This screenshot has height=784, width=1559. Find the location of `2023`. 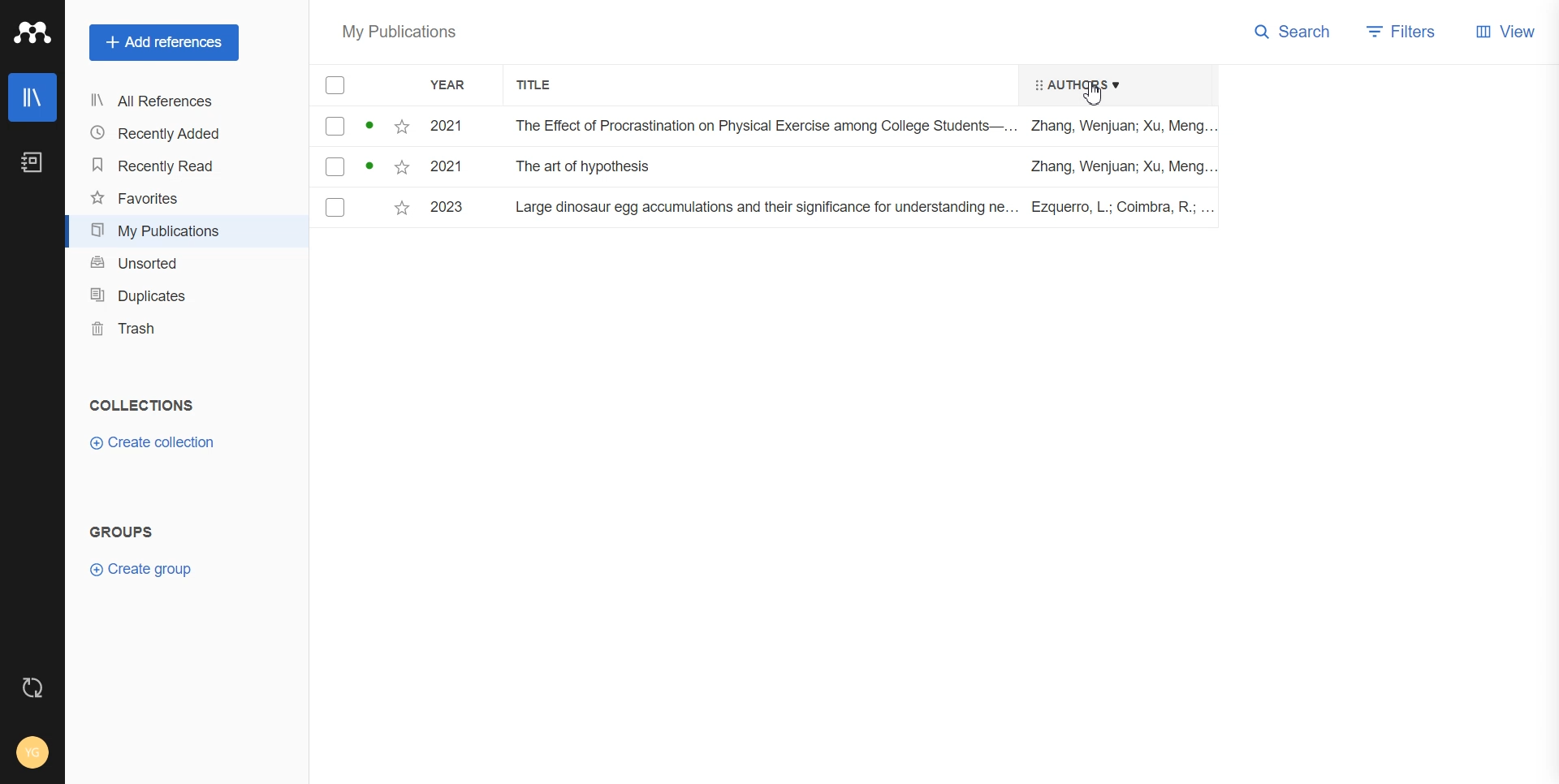

2023 is located at coordinates (445, 207).